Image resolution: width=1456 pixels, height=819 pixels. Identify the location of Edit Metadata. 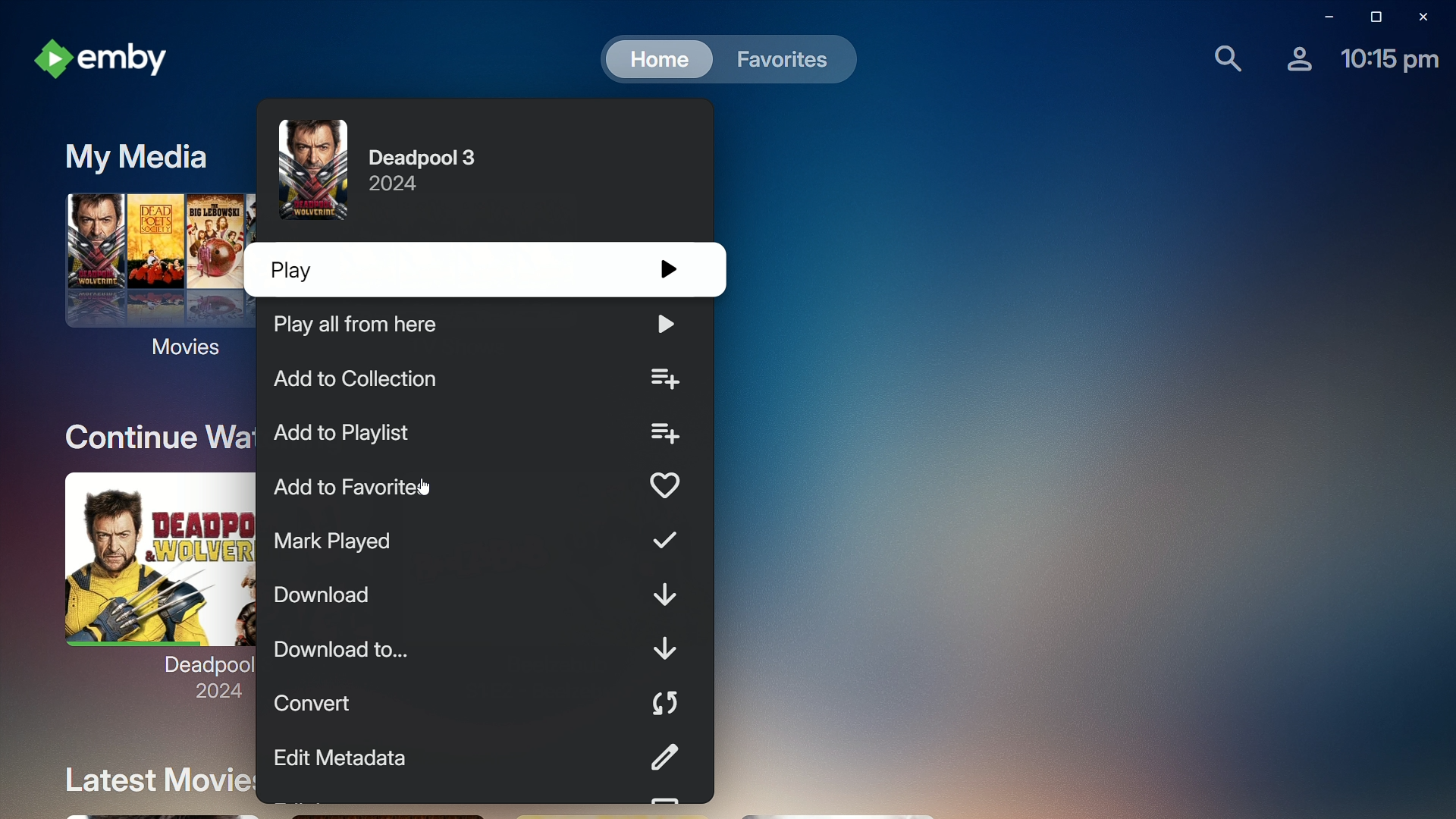
(482, 761).